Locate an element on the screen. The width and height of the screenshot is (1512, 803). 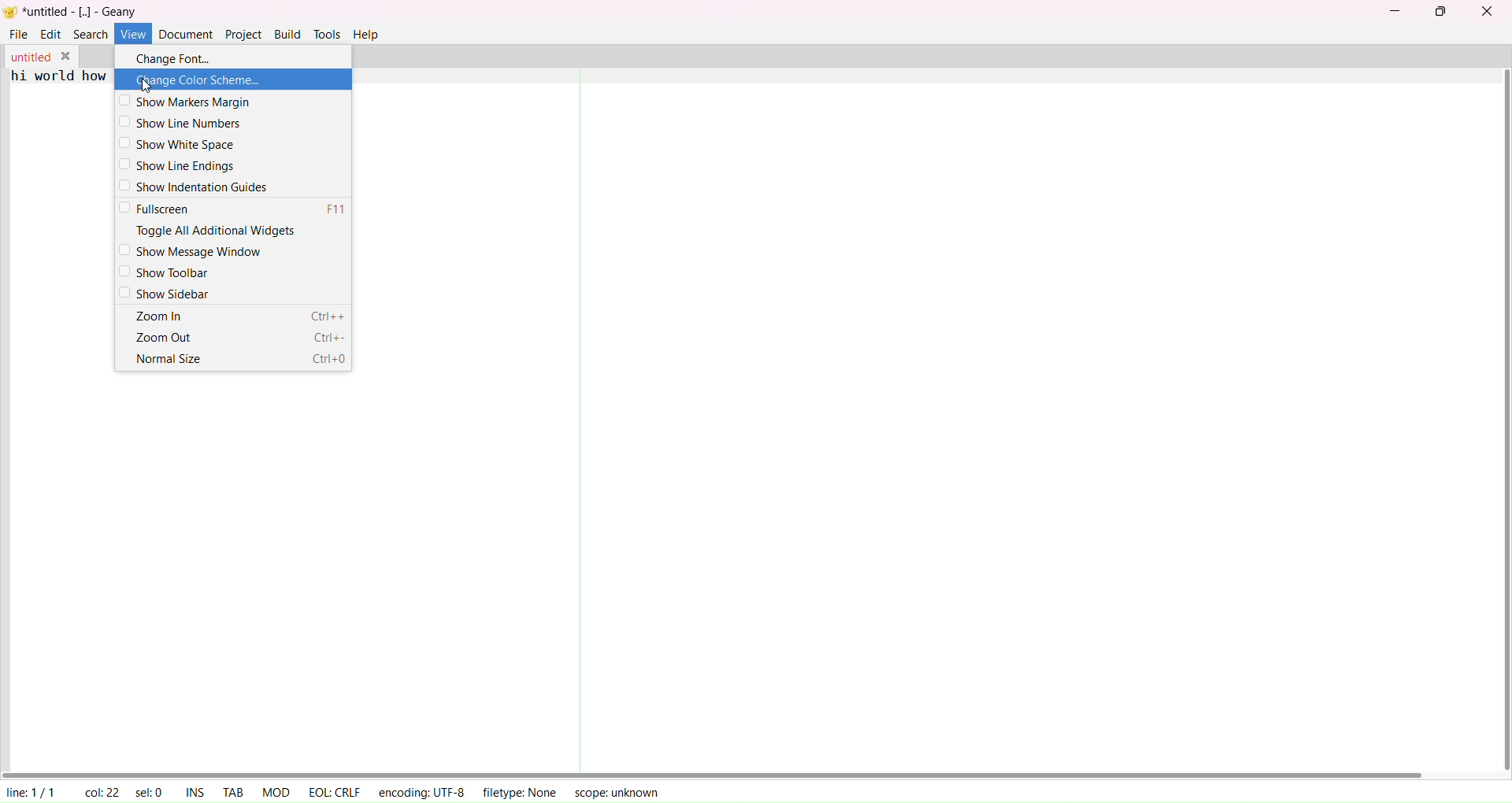
tab name is located at coordinates (29, 56).